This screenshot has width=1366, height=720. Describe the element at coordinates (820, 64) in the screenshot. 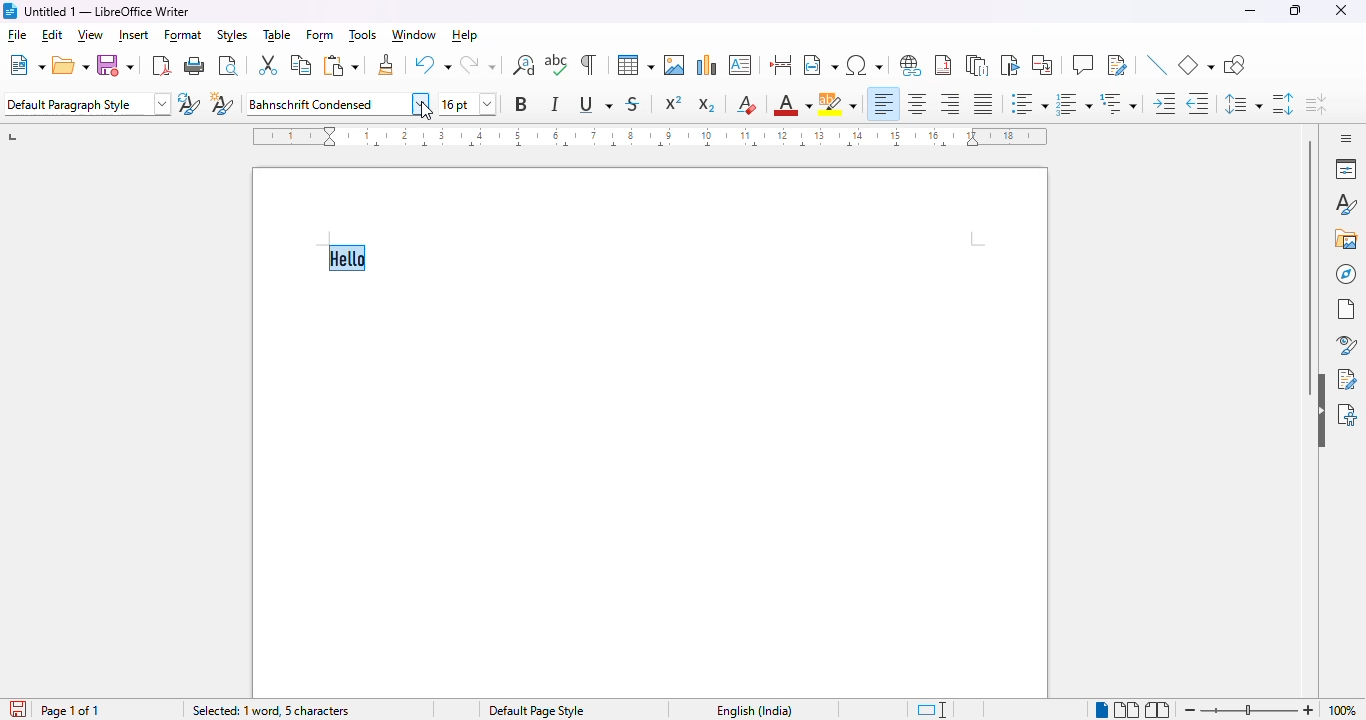

I see `insert text field` at that location.